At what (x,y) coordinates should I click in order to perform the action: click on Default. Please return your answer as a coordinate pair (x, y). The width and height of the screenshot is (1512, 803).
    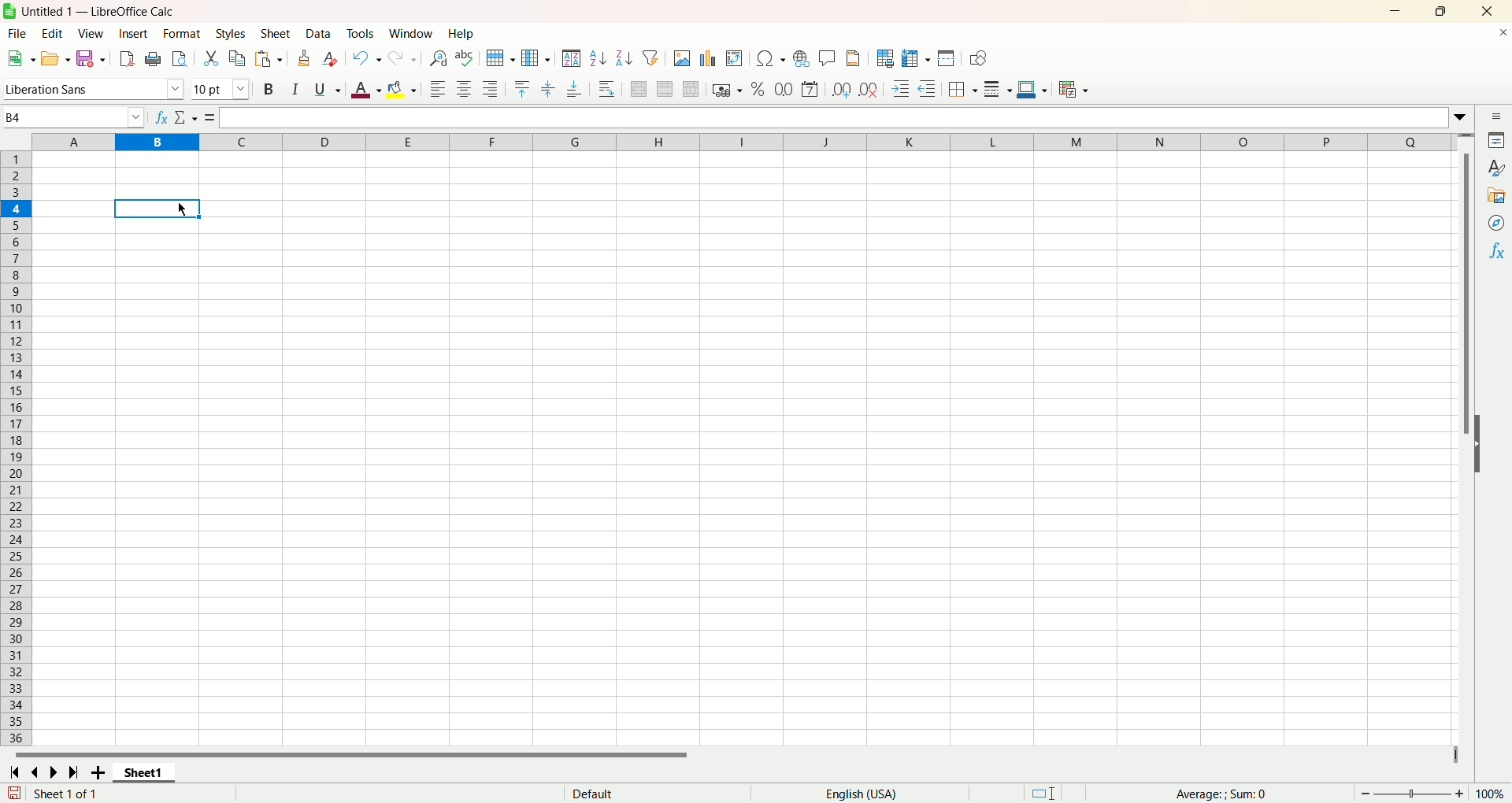
    Looking at the image, I should click on (650, 792).